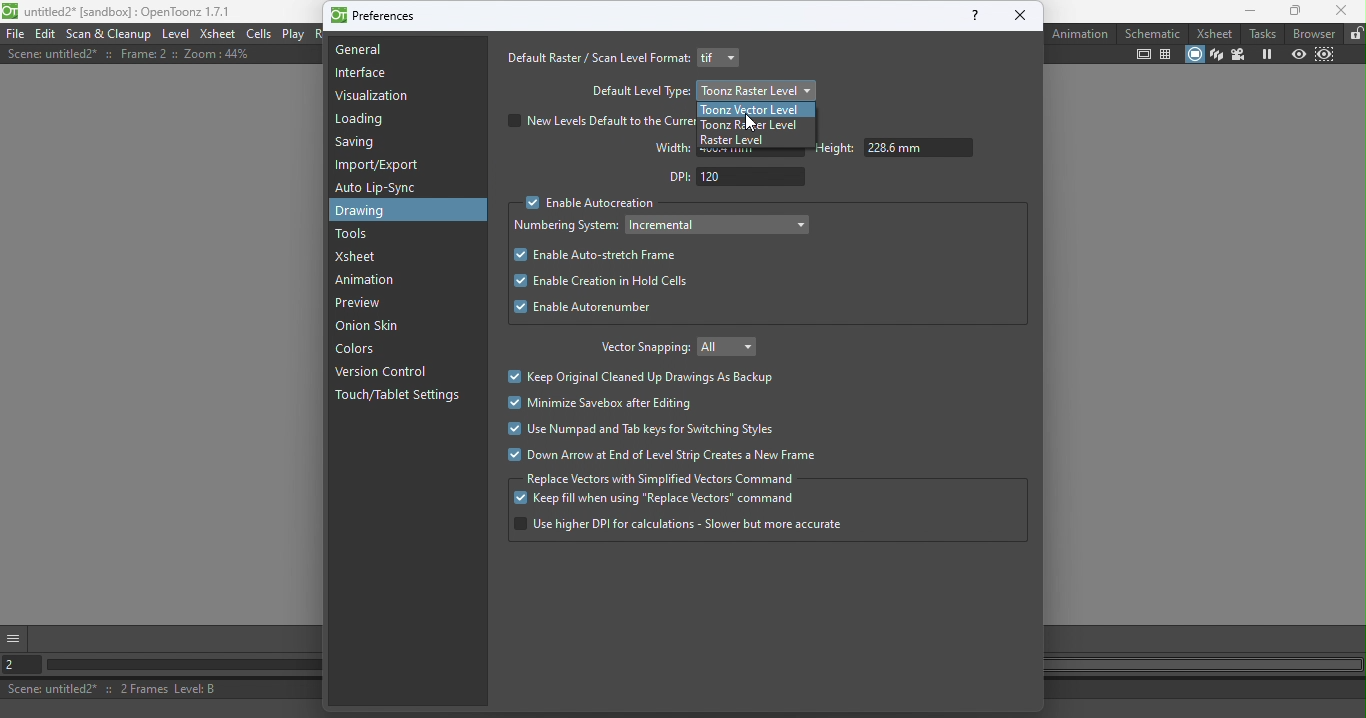 The height and width of the screenshot is (718, 1366). I want to click on Drawing, so click(367, 211).